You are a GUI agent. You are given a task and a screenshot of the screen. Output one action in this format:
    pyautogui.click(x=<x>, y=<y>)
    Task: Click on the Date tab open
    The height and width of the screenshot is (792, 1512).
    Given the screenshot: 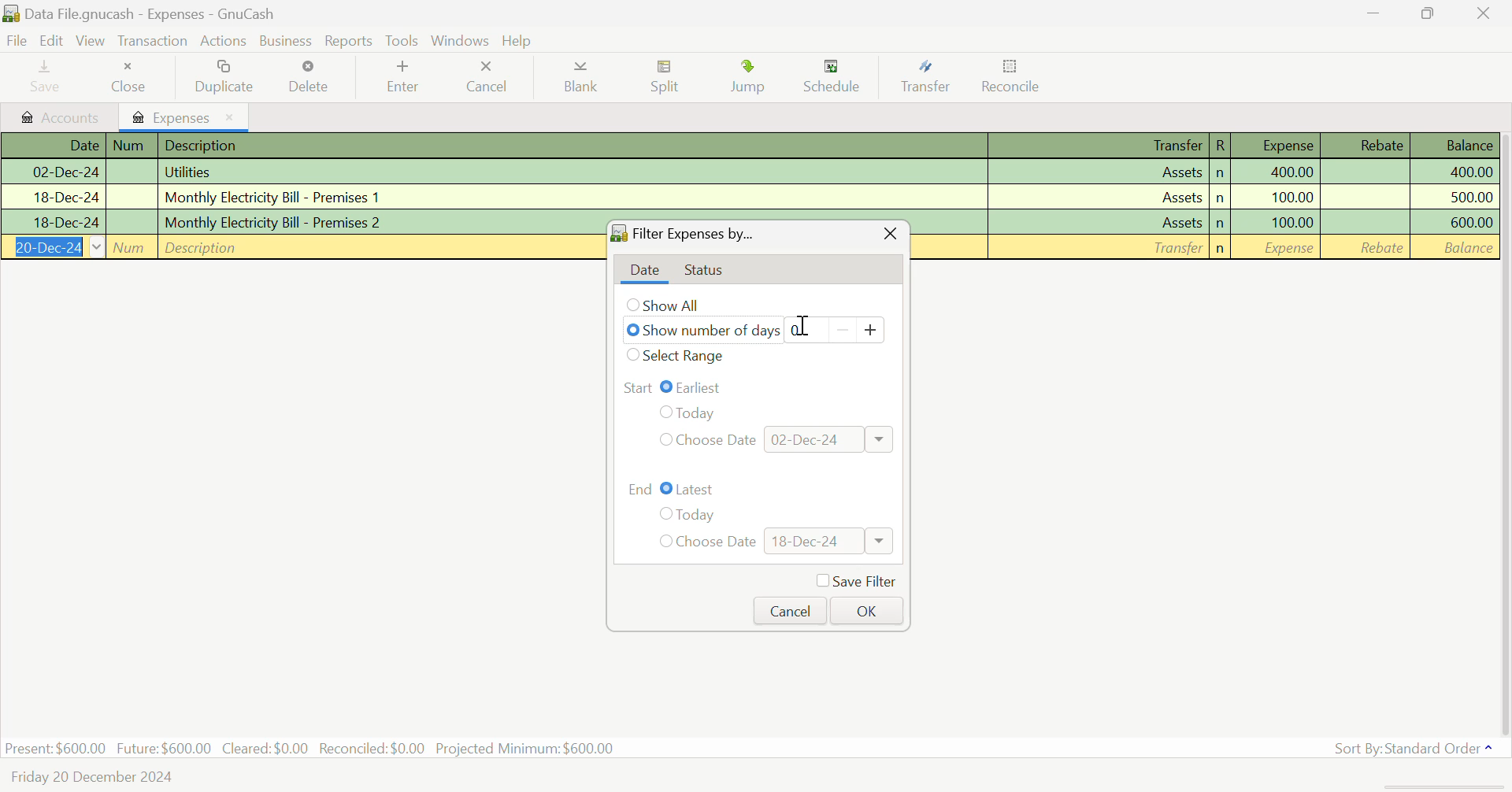 What is the action you would take?
    pyautogui.click(x=644, y=272)
    